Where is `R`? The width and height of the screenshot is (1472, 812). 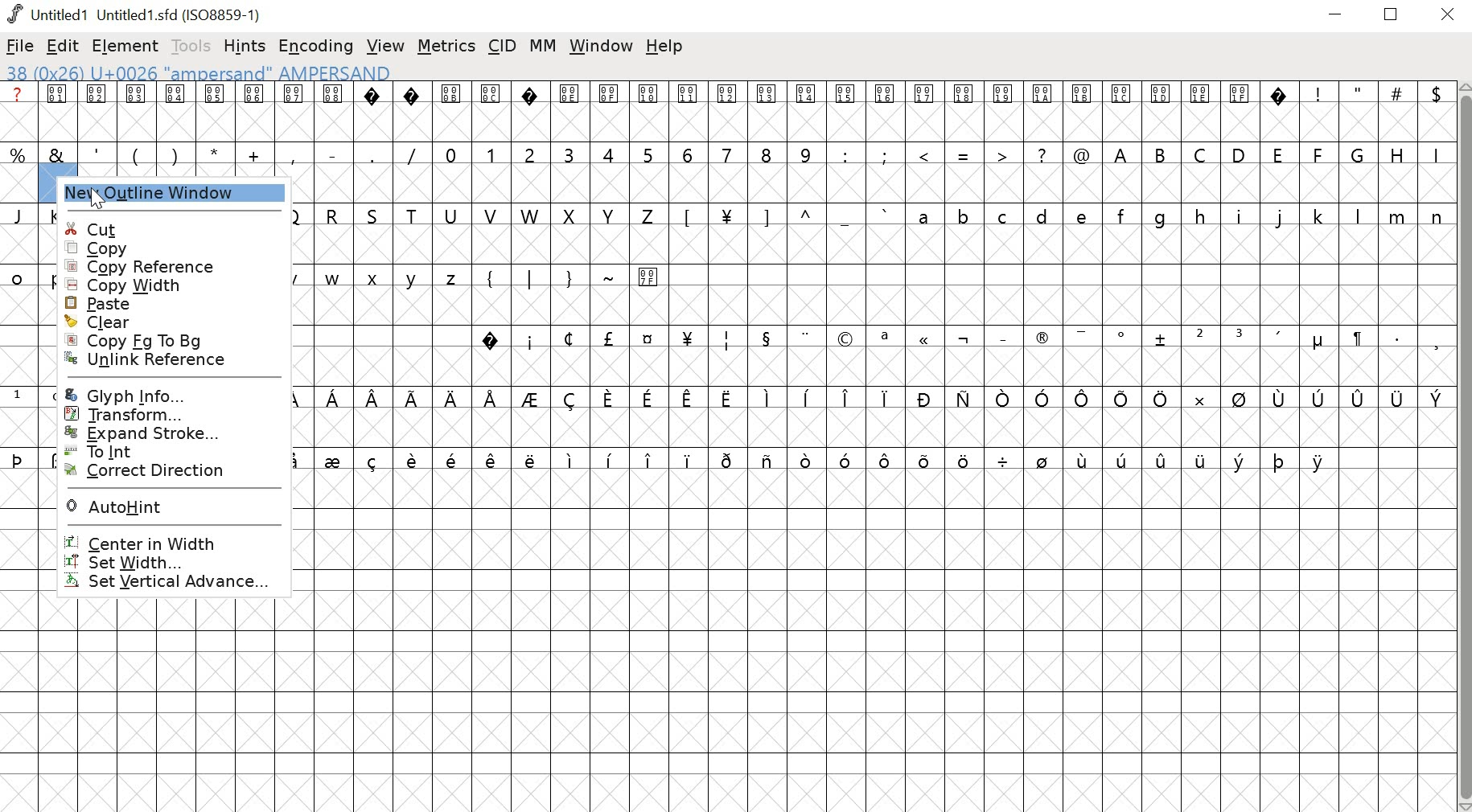
R is located at coordinates (333, 213).